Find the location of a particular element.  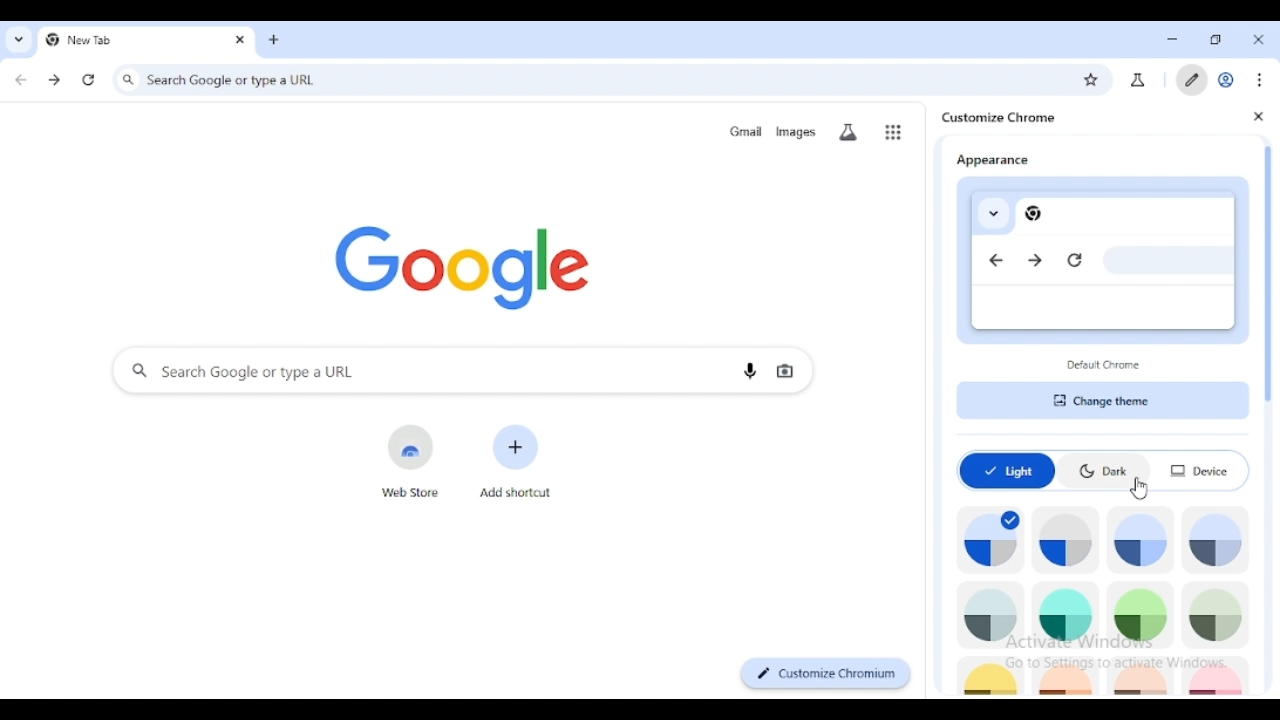

device is located at coordinates (1201, 471).